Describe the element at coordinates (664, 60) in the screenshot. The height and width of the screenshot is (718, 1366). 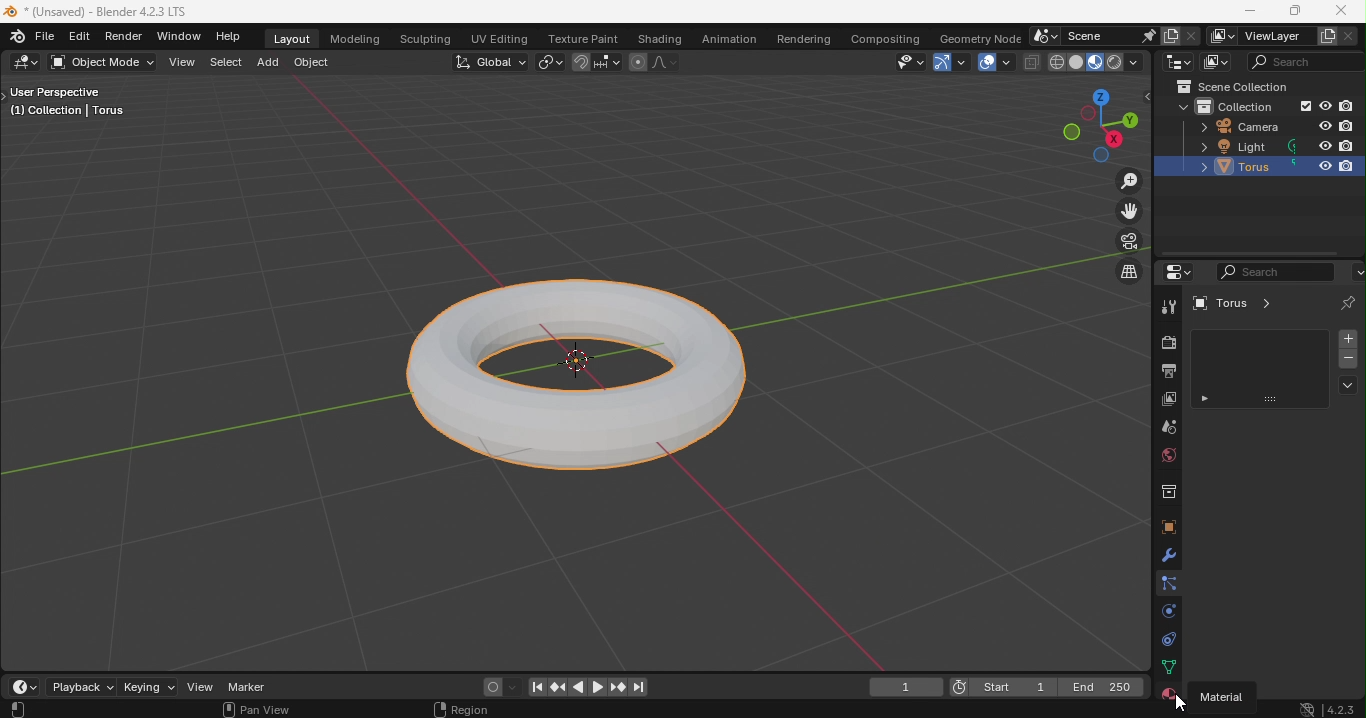
I see `Proportional editing fallout` at that location.